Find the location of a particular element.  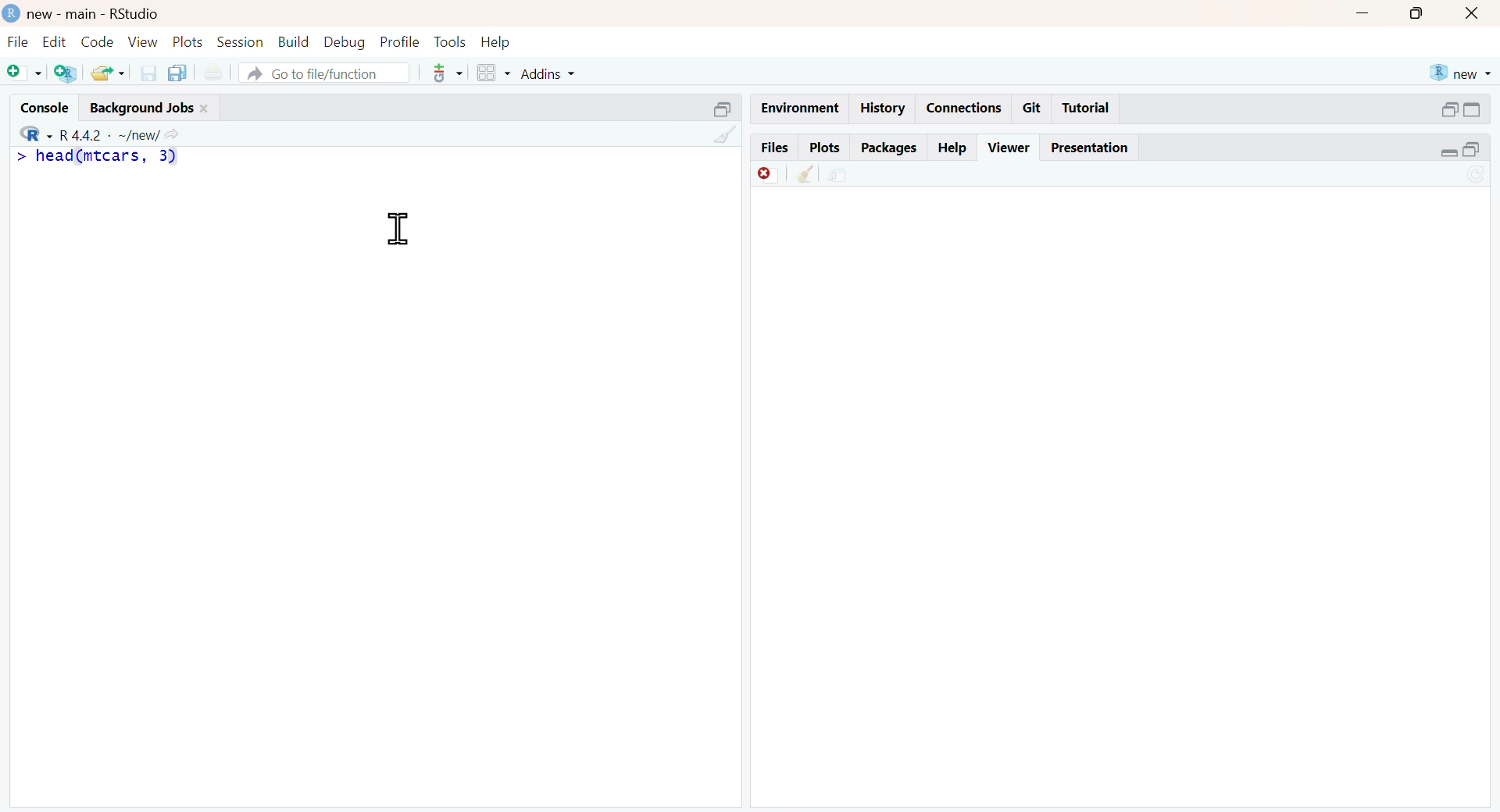

History is located at coordinates (883, 108).